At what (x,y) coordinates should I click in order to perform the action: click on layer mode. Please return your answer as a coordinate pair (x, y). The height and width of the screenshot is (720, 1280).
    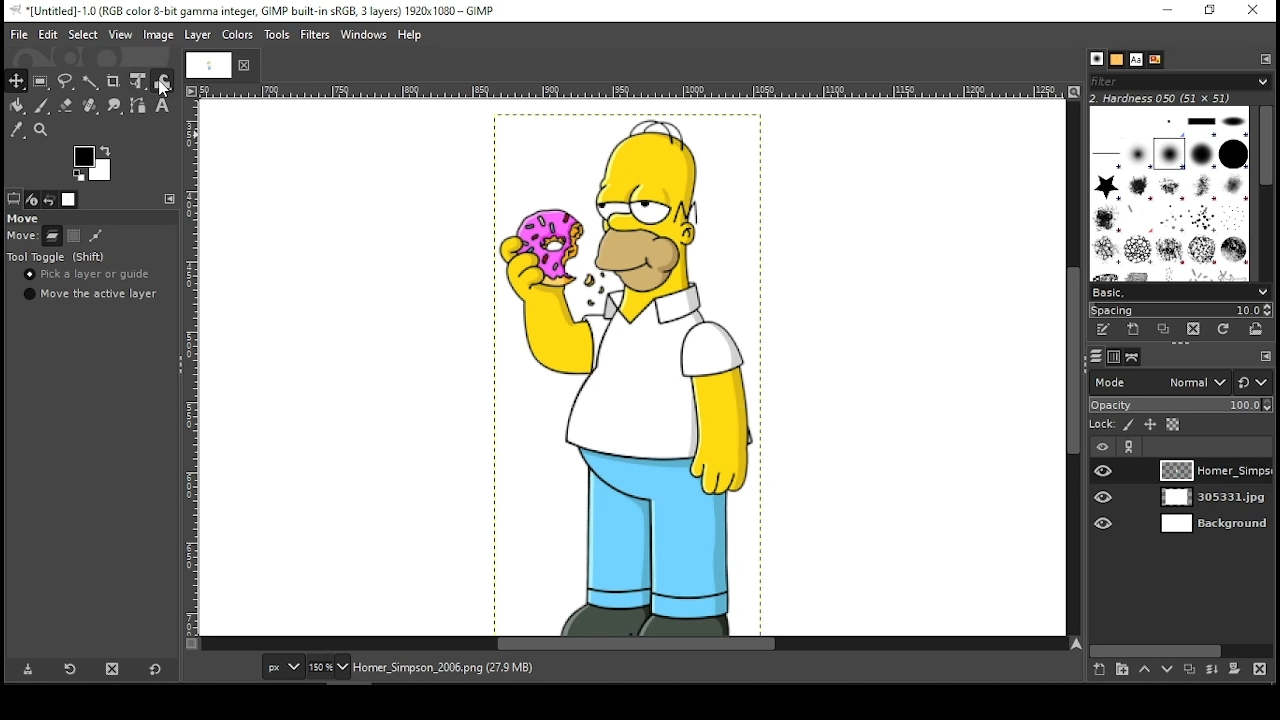
    Looking at the image, I should click on (1160, 382).